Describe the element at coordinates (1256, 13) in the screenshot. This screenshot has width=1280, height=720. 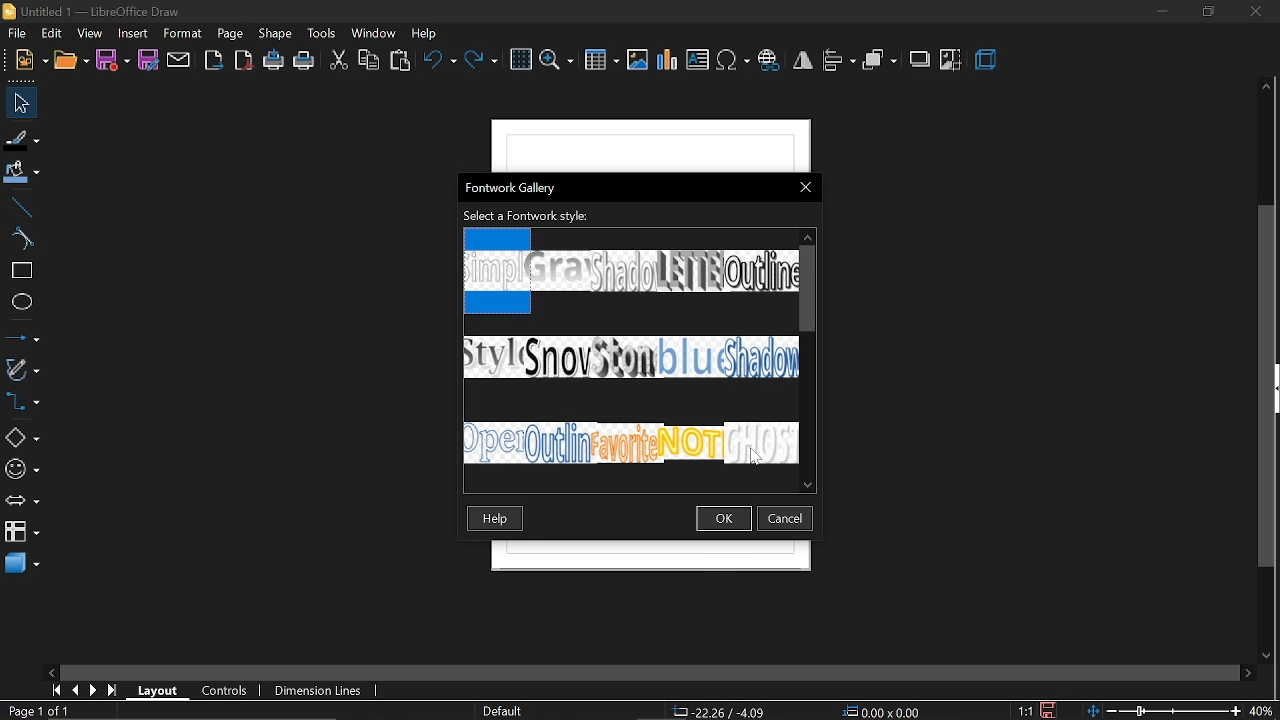
I see `close` at that location.